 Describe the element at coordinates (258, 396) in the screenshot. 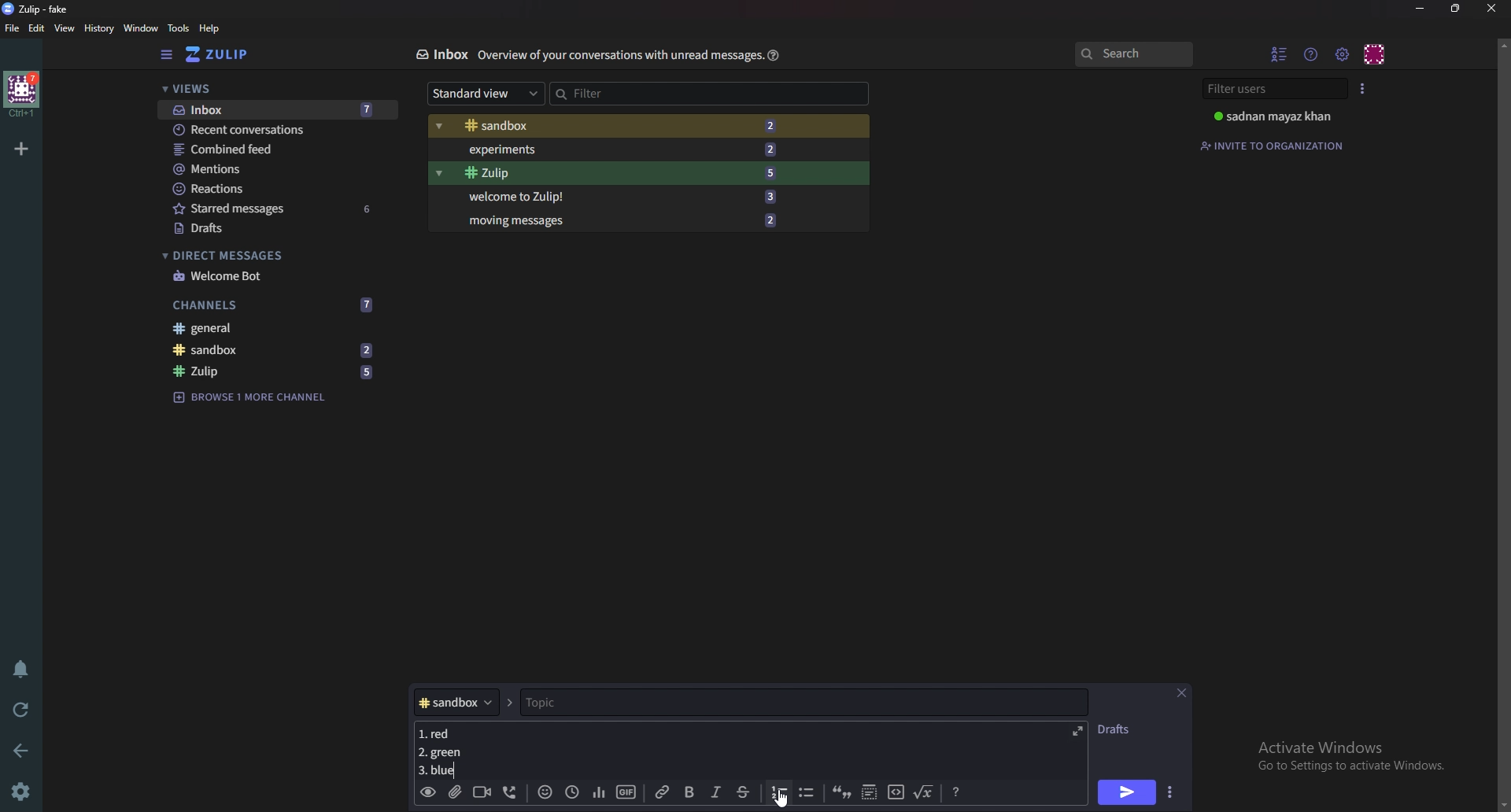

I see `Browse channel` at that location.